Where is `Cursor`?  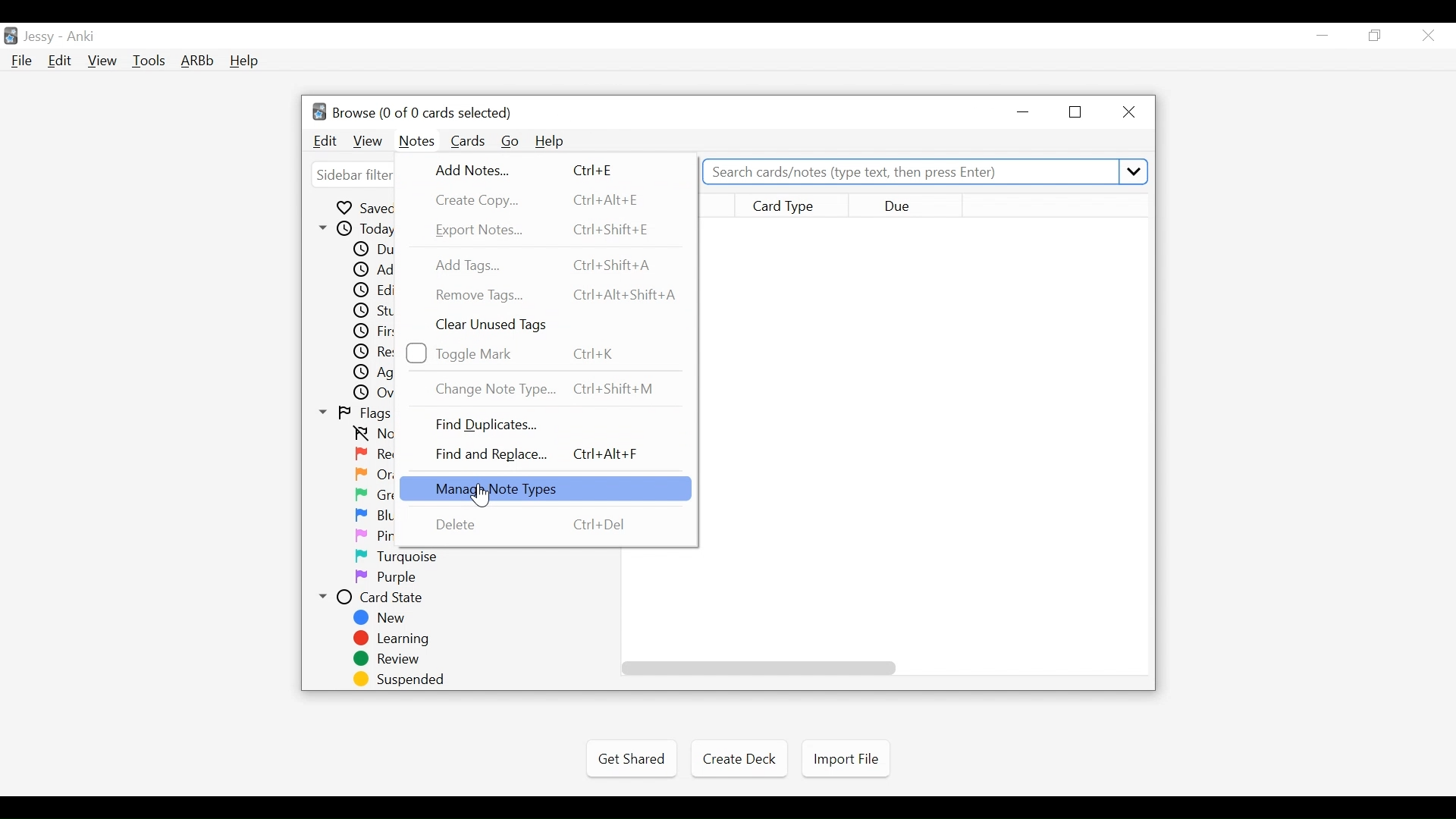
Cursor is located at coordinates (477, 497).